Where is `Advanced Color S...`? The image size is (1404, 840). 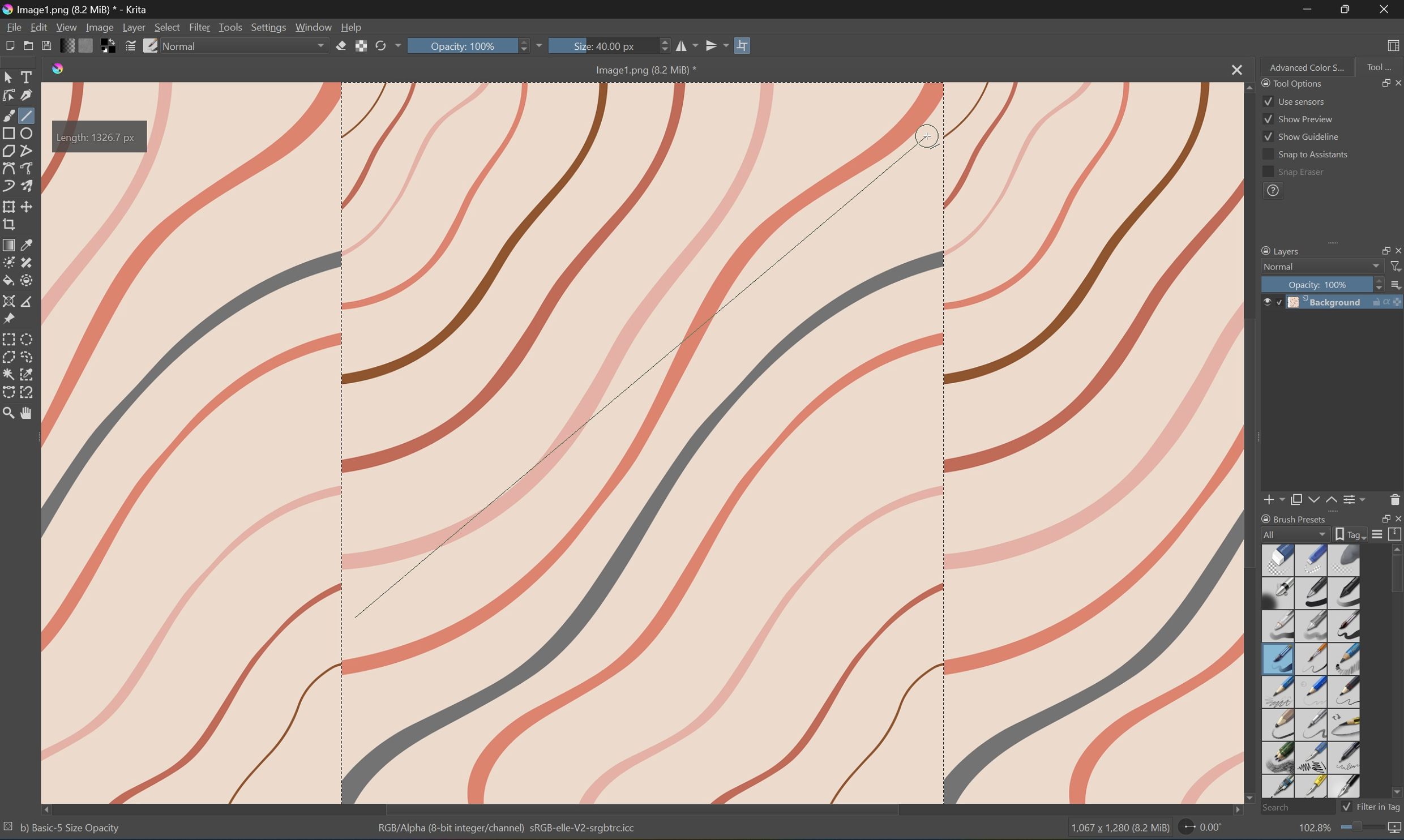 Advanced Color S... is located at coordinates (1308, 68).